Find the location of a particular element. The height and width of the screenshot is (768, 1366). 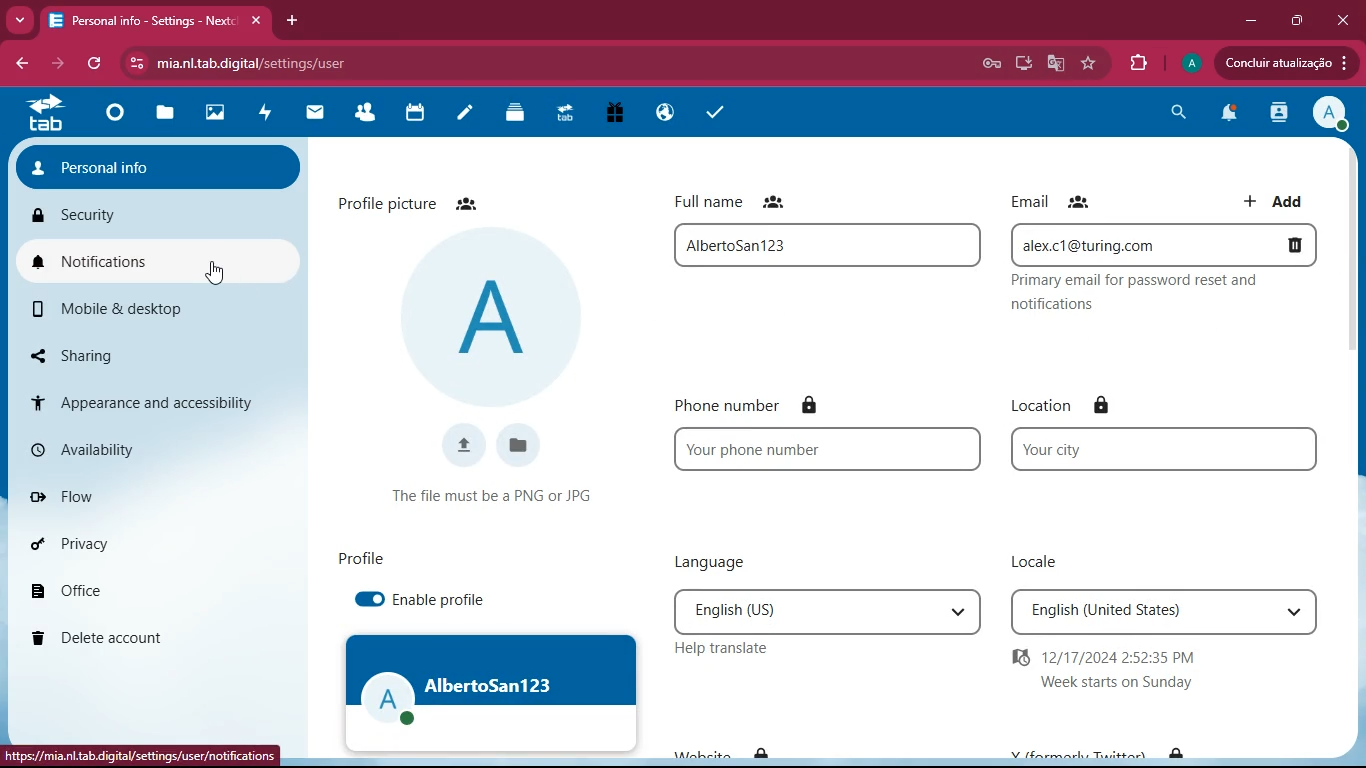

files is located at coordinates (165, 114).